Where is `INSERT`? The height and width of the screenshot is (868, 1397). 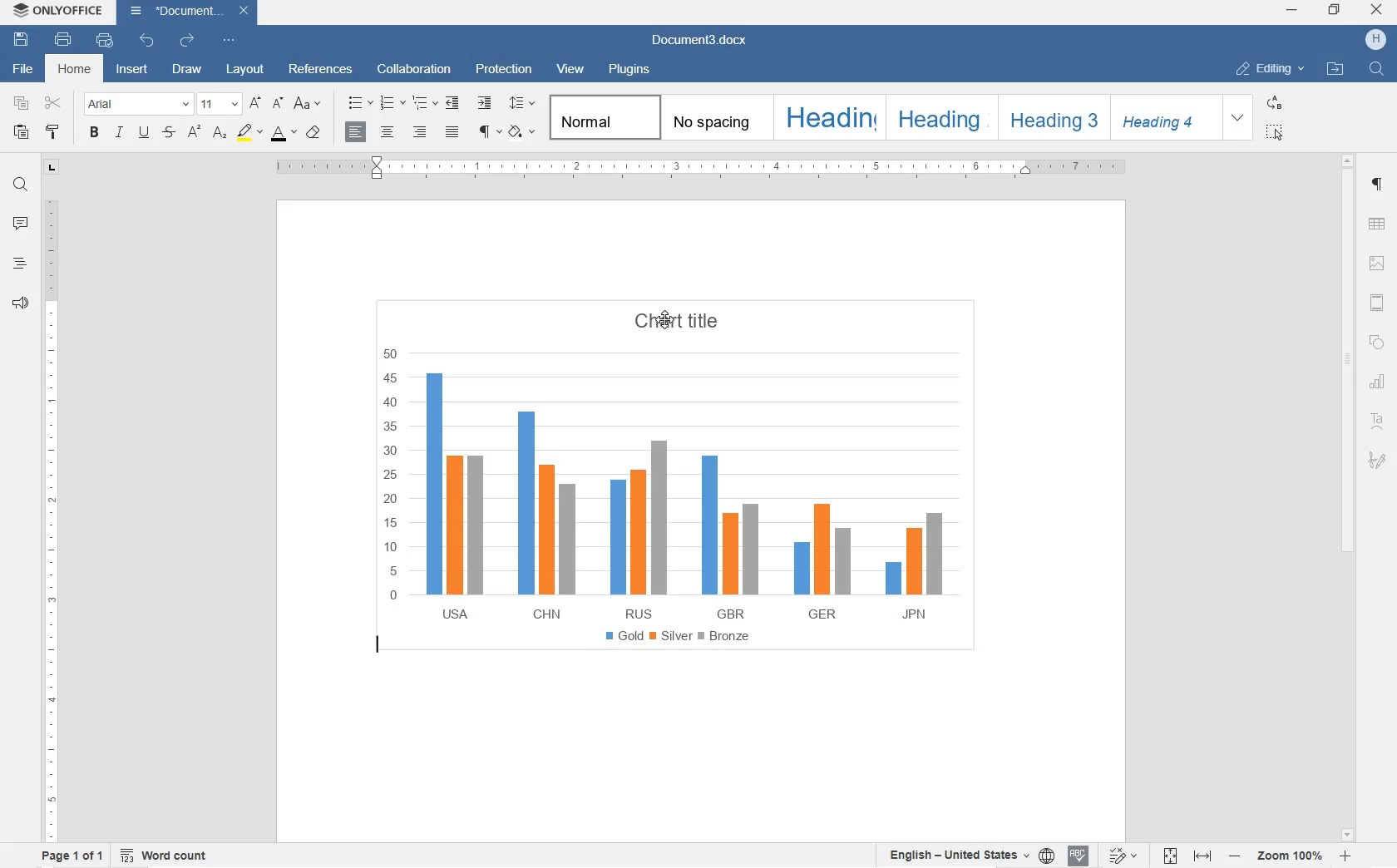 INSERT is located at coordinates (134, 70).